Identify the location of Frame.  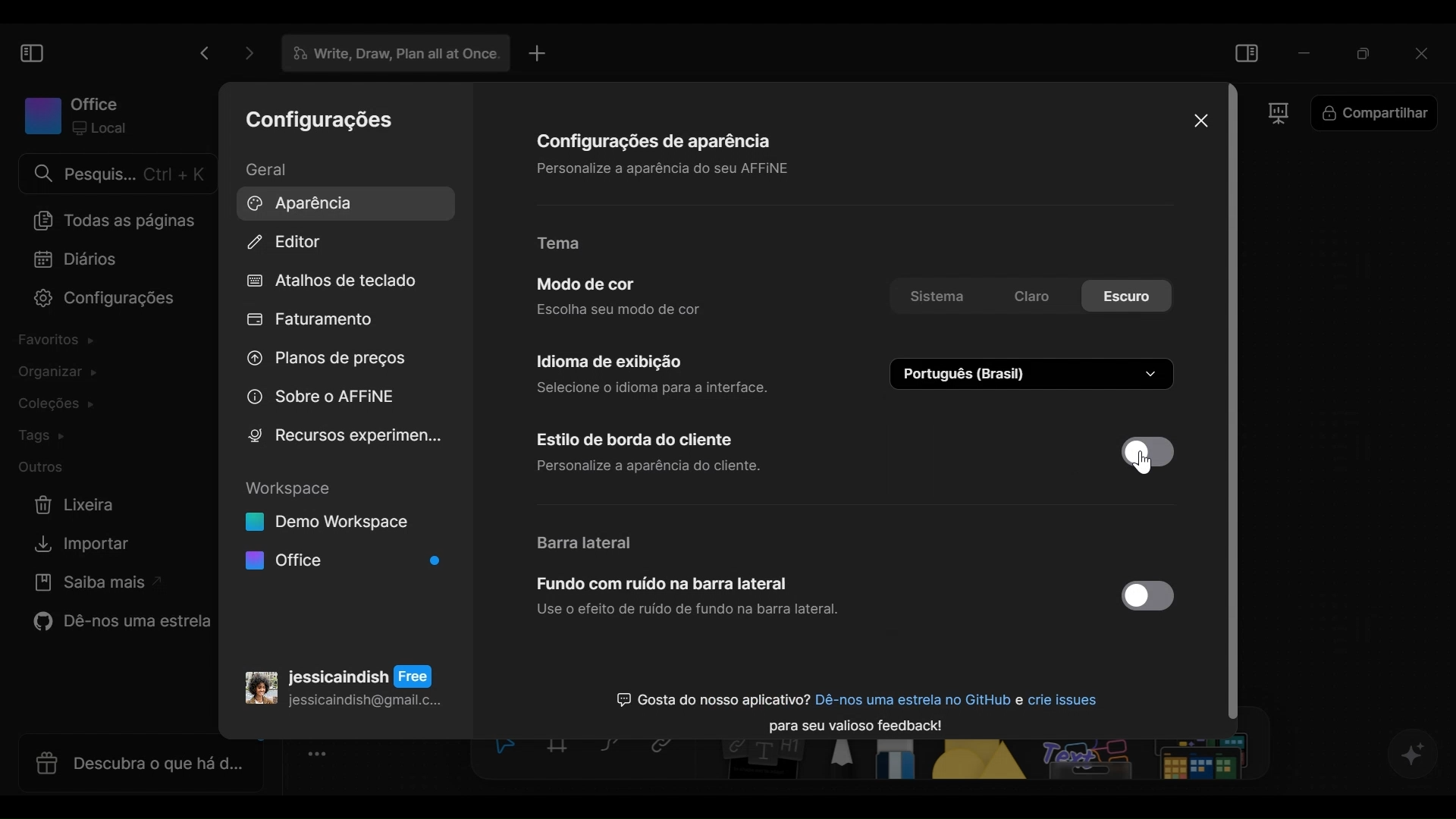
(560, 748).